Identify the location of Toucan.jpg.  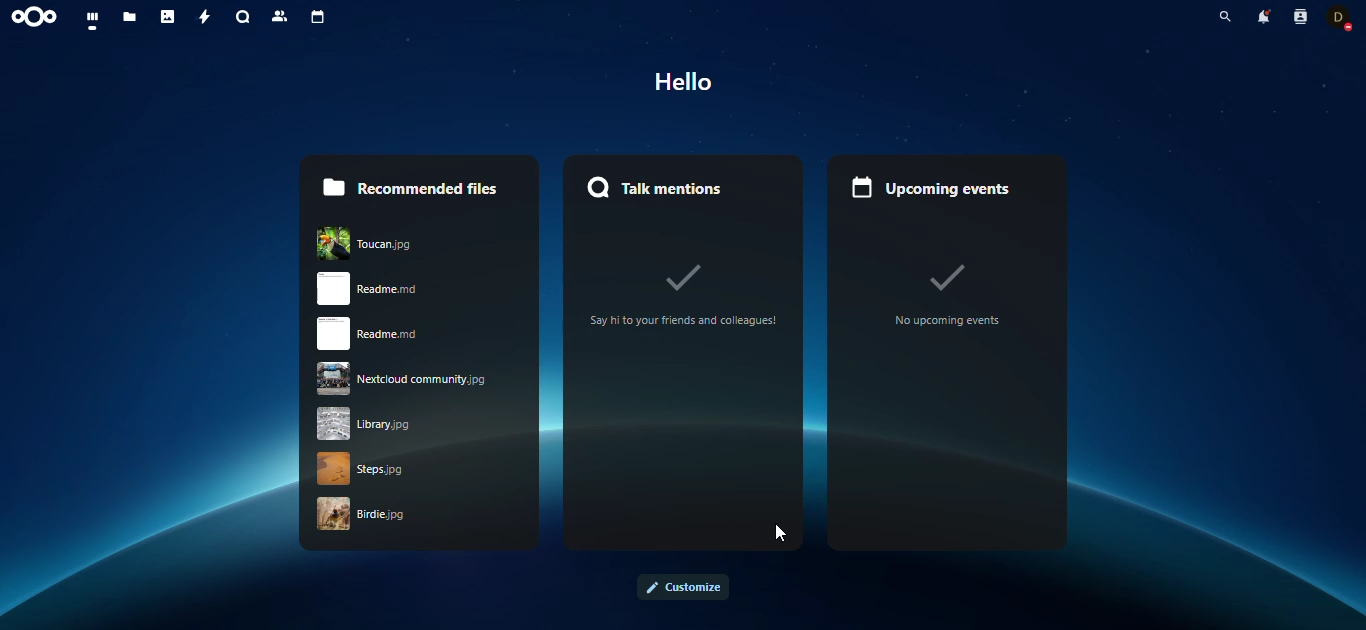
(408, 240).